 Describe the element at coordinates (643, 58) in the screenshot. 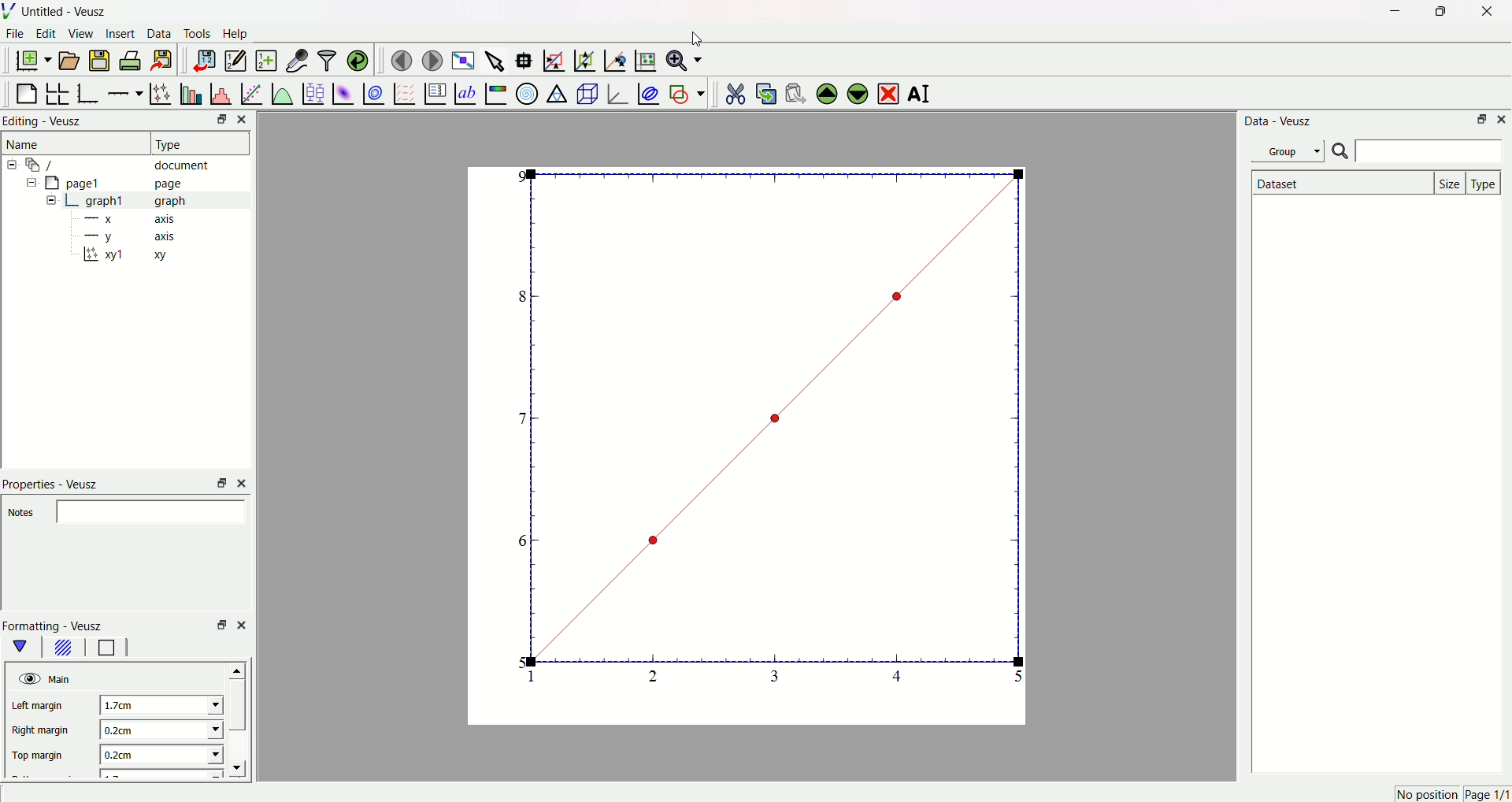

I see `reset the graph axes` at that location.